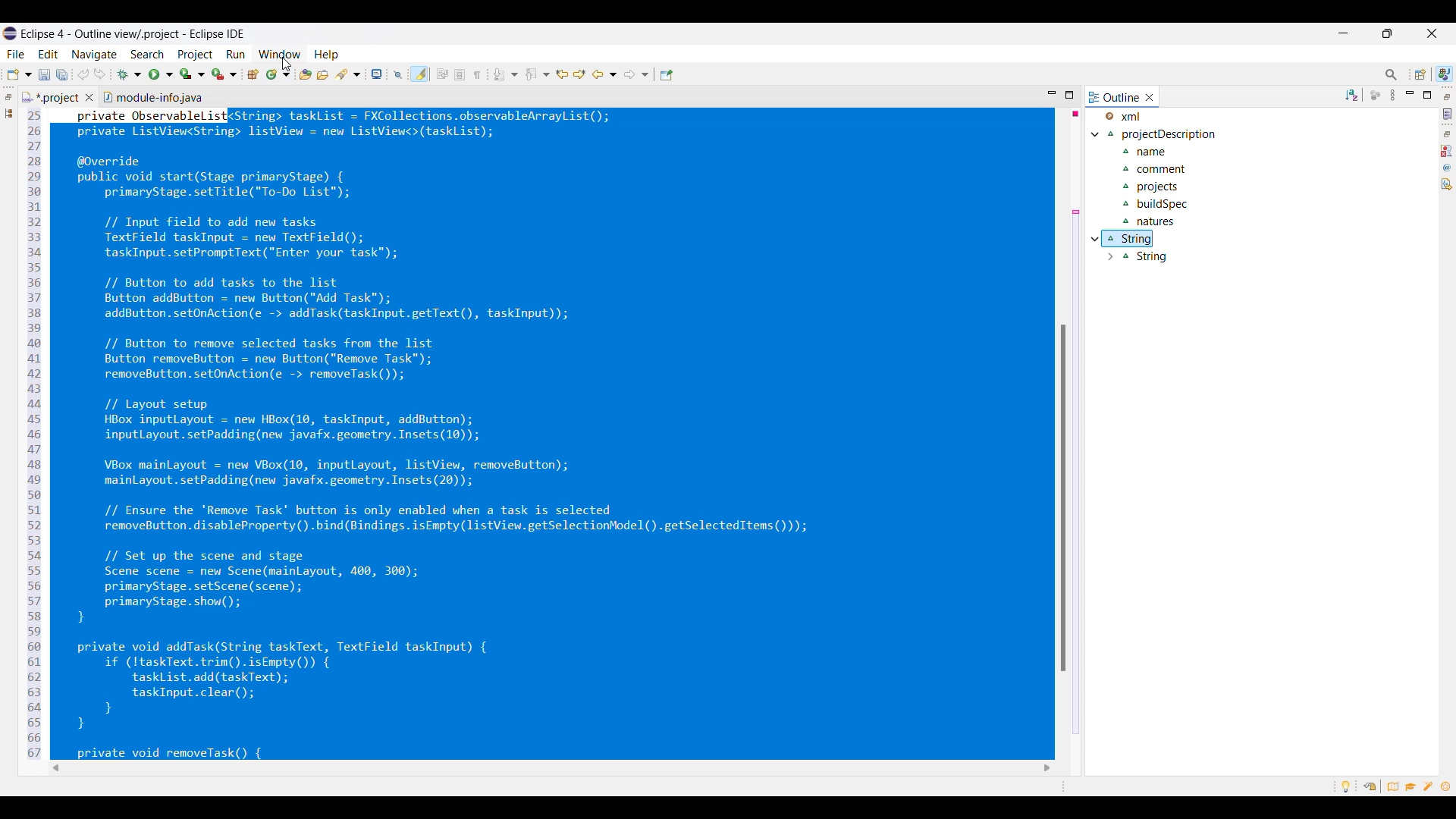 This screenshot has height=819, width=1456. Describe the element at coordinates (147, 54) in the screenshot. I see `Search menu` at that location.